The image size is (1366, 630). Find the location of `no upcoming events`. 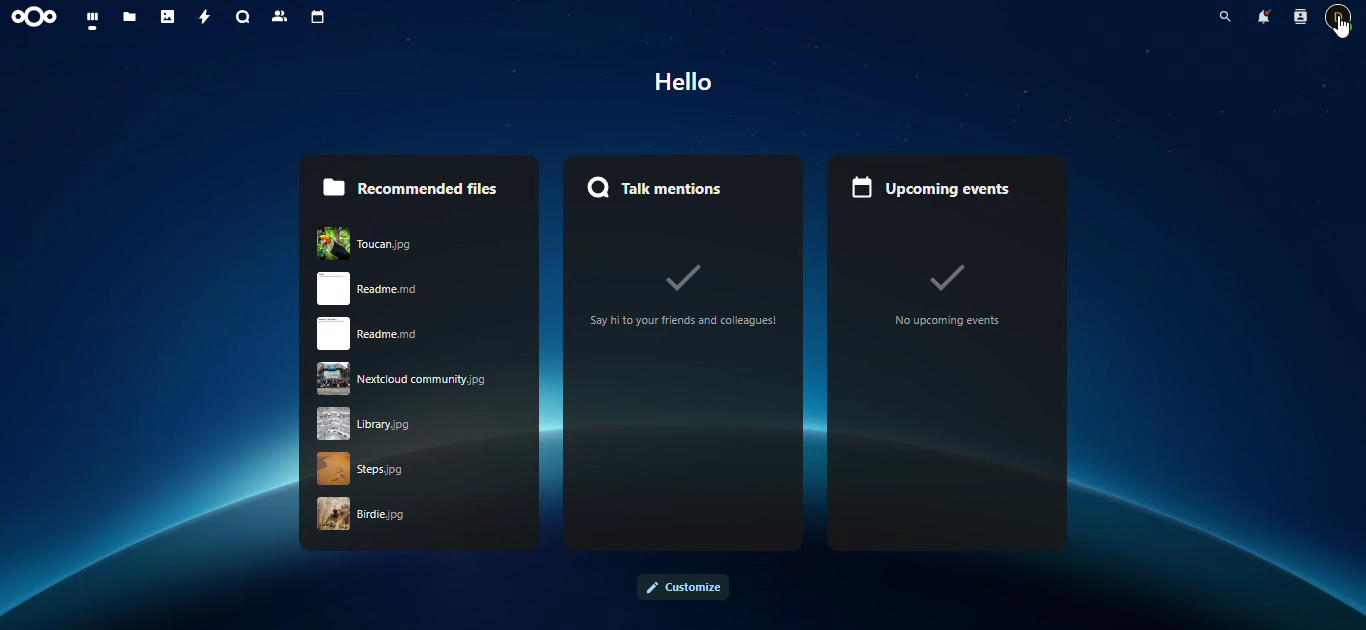

no upcoming events is located at coordinates (966, 292).